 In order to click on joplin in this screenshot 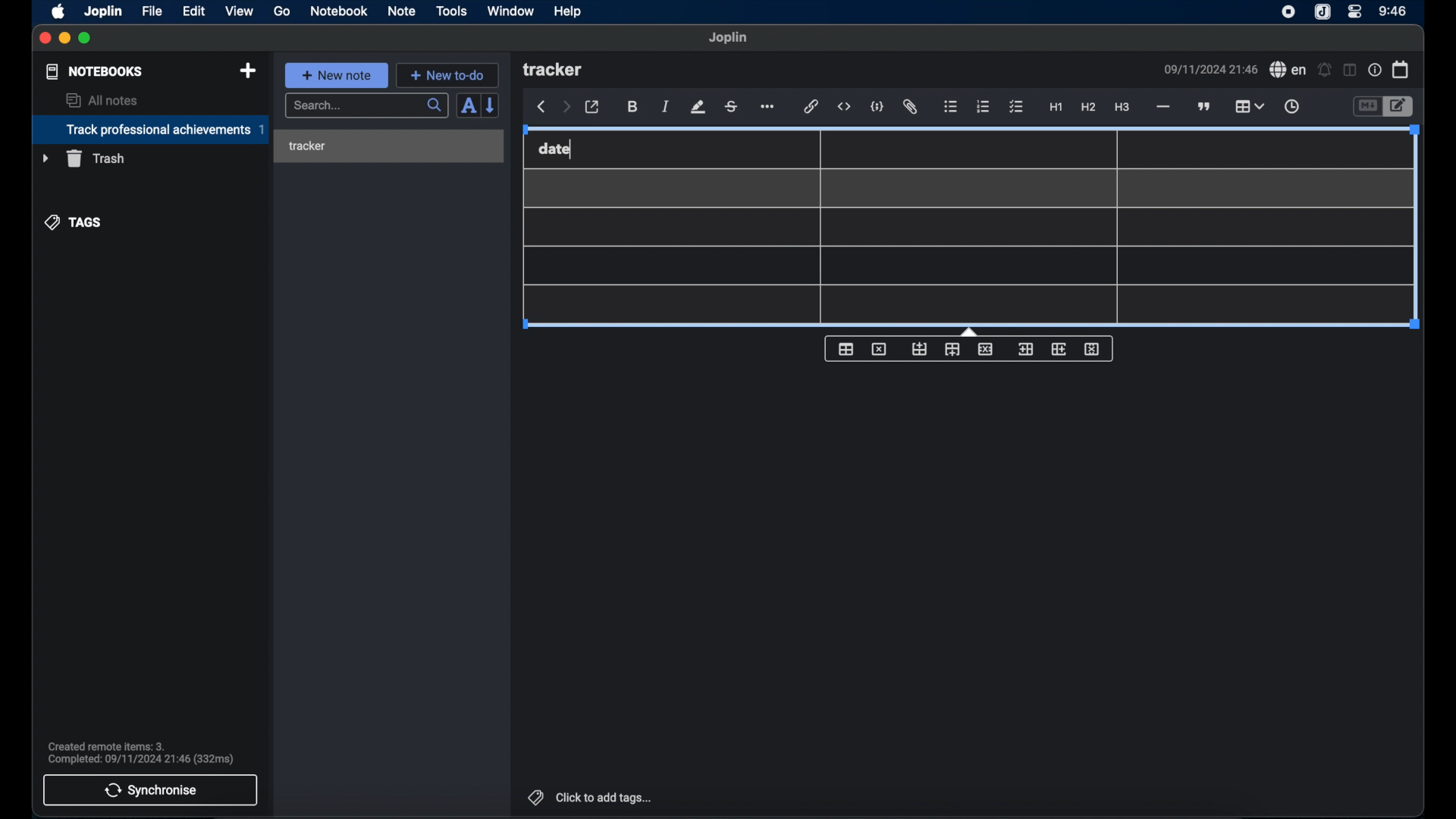, I will do `click(1323, 13)`.